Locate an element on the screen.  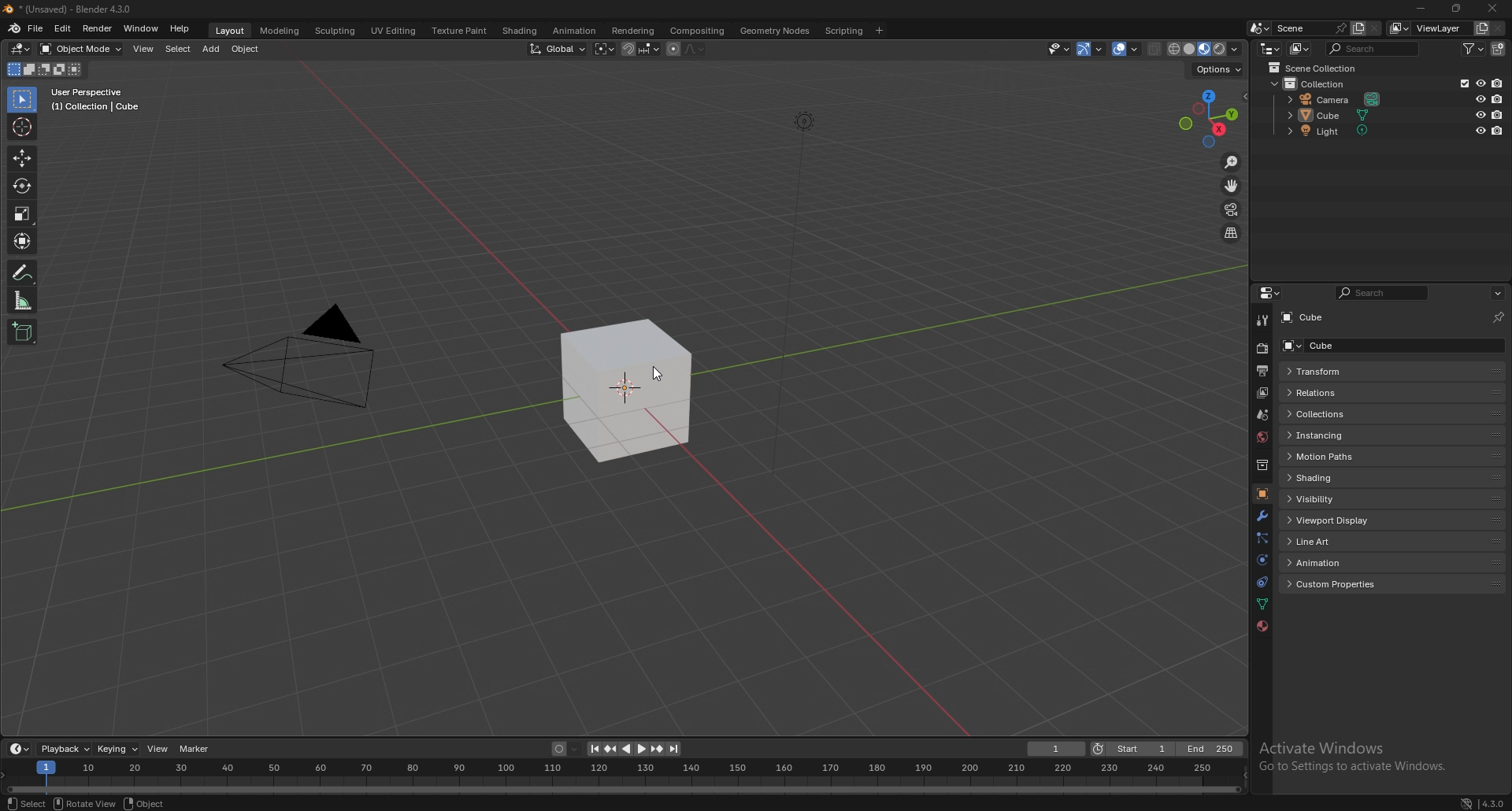
delete scene is located at coordinates (1374, 28).